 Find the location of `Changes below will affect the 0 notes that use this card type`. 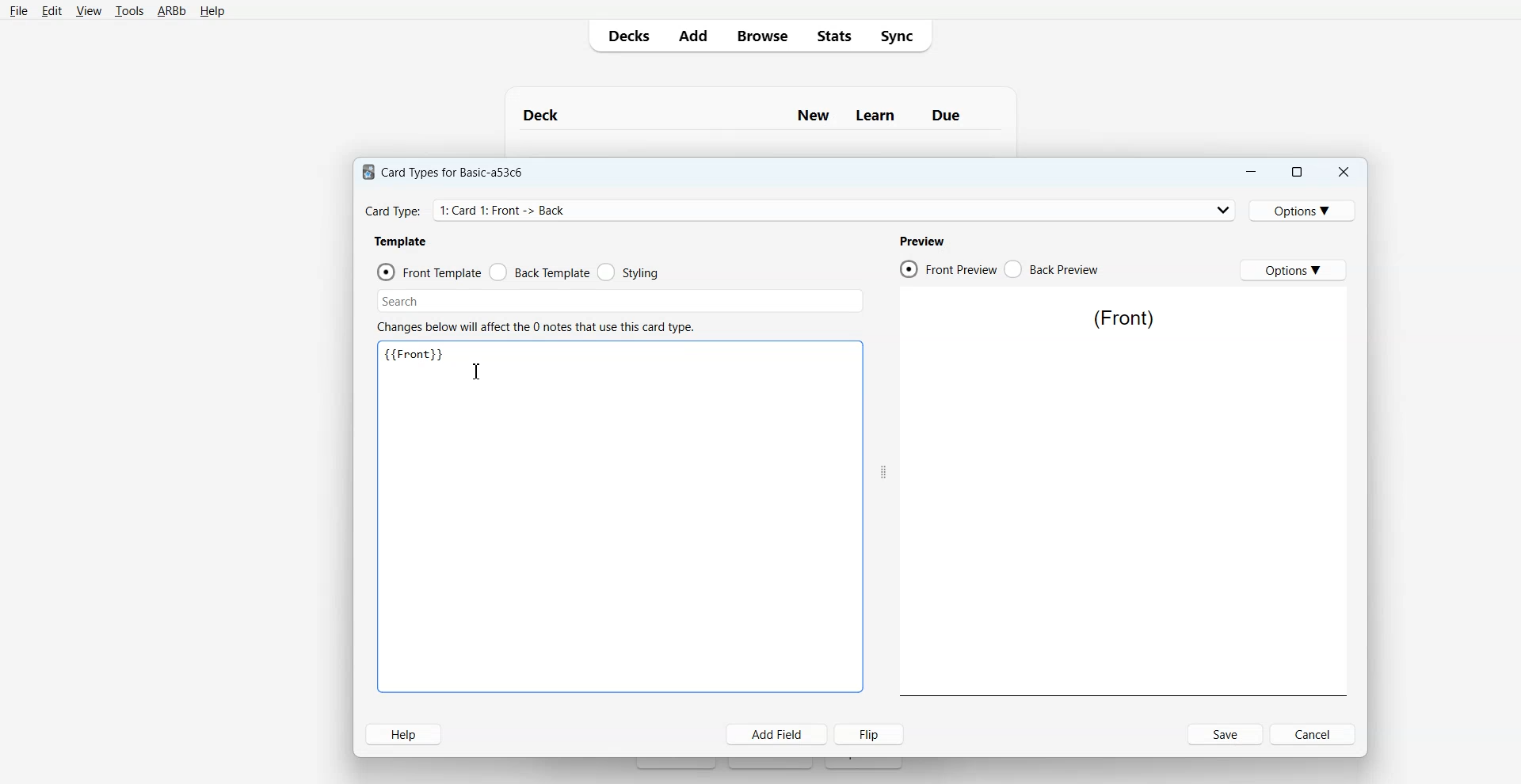

Changes below will affect the 0 notes that use this card type is located at coordinates (542, 327).